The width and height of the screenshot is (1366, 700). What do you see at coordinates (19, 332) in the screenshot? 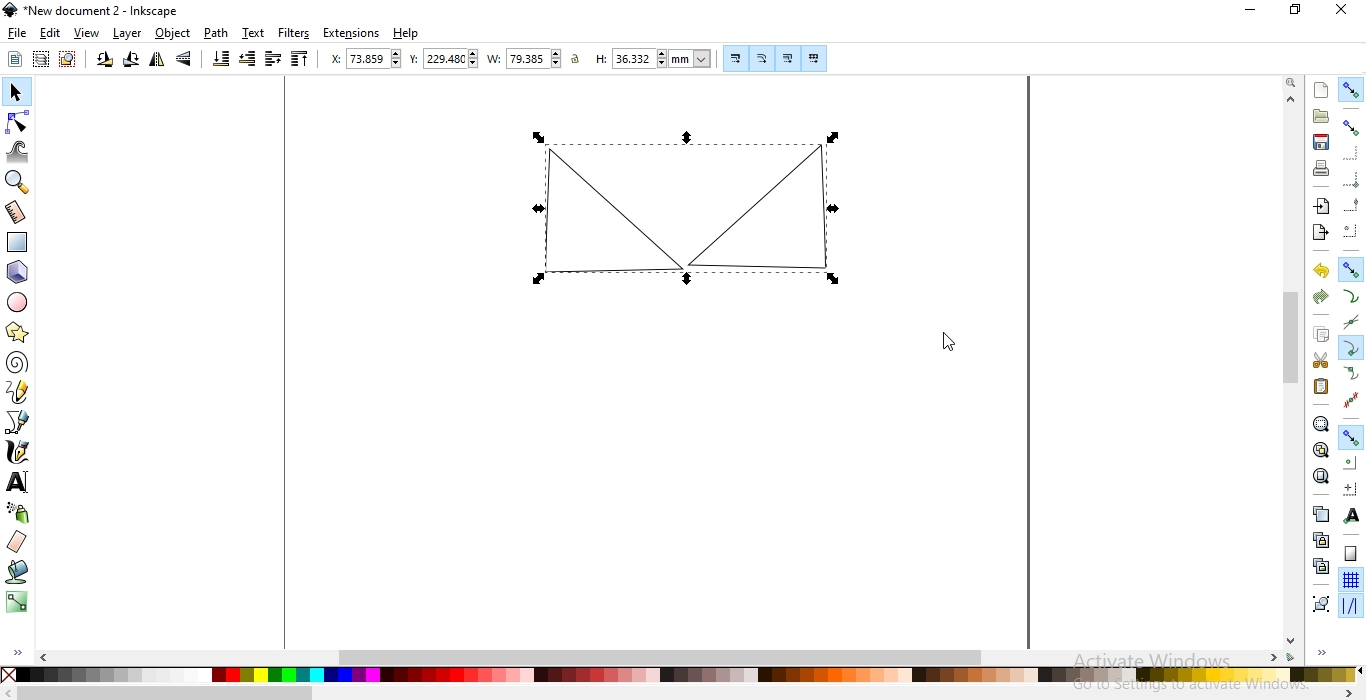
I see `create stars and polygons` at bounding box center [19, 332].